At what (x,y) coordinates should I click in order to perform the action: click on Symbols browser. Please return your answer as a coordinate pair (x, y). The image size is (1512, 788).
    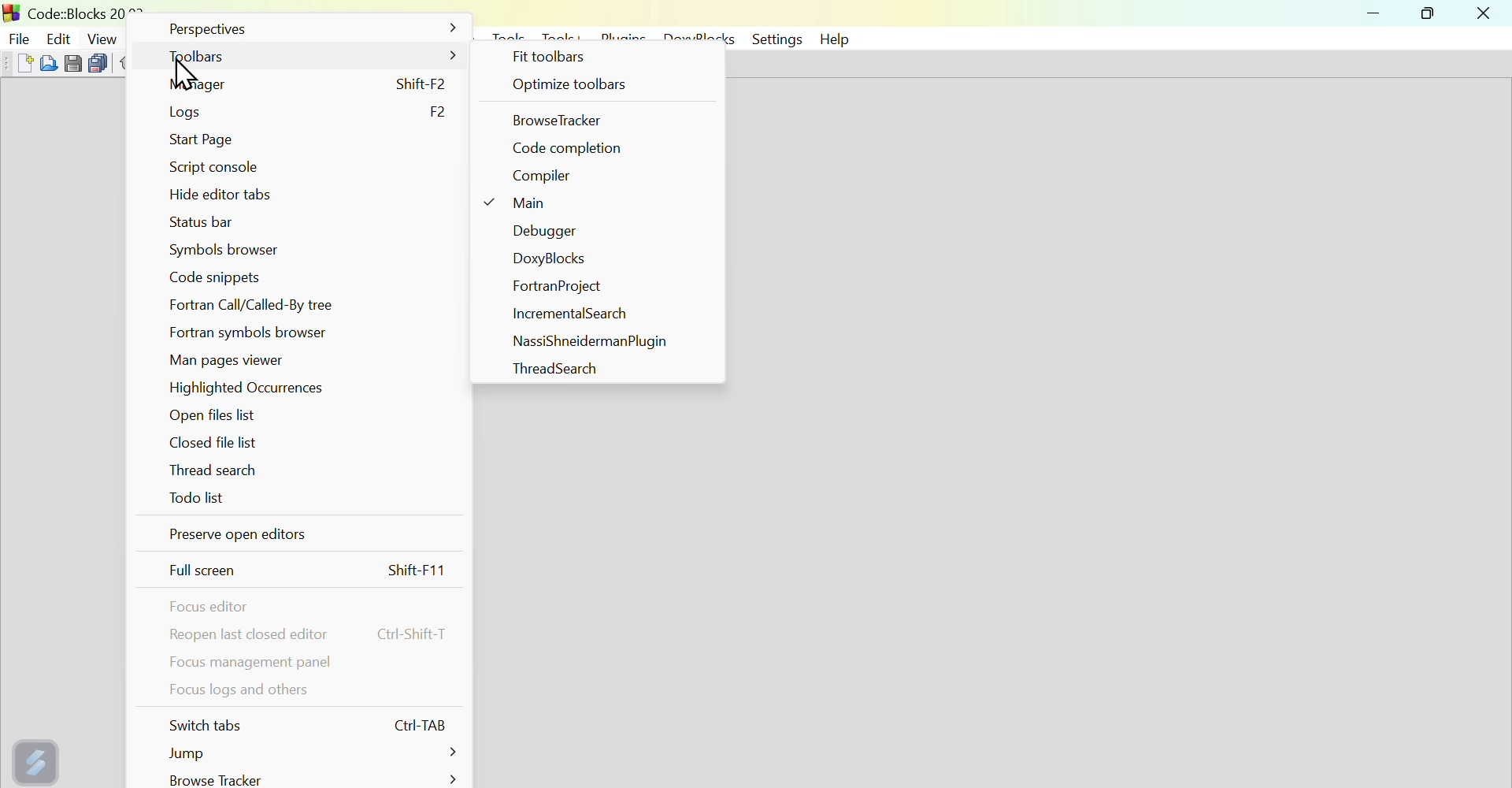
    Looking at the image, I should click on (220, 249).